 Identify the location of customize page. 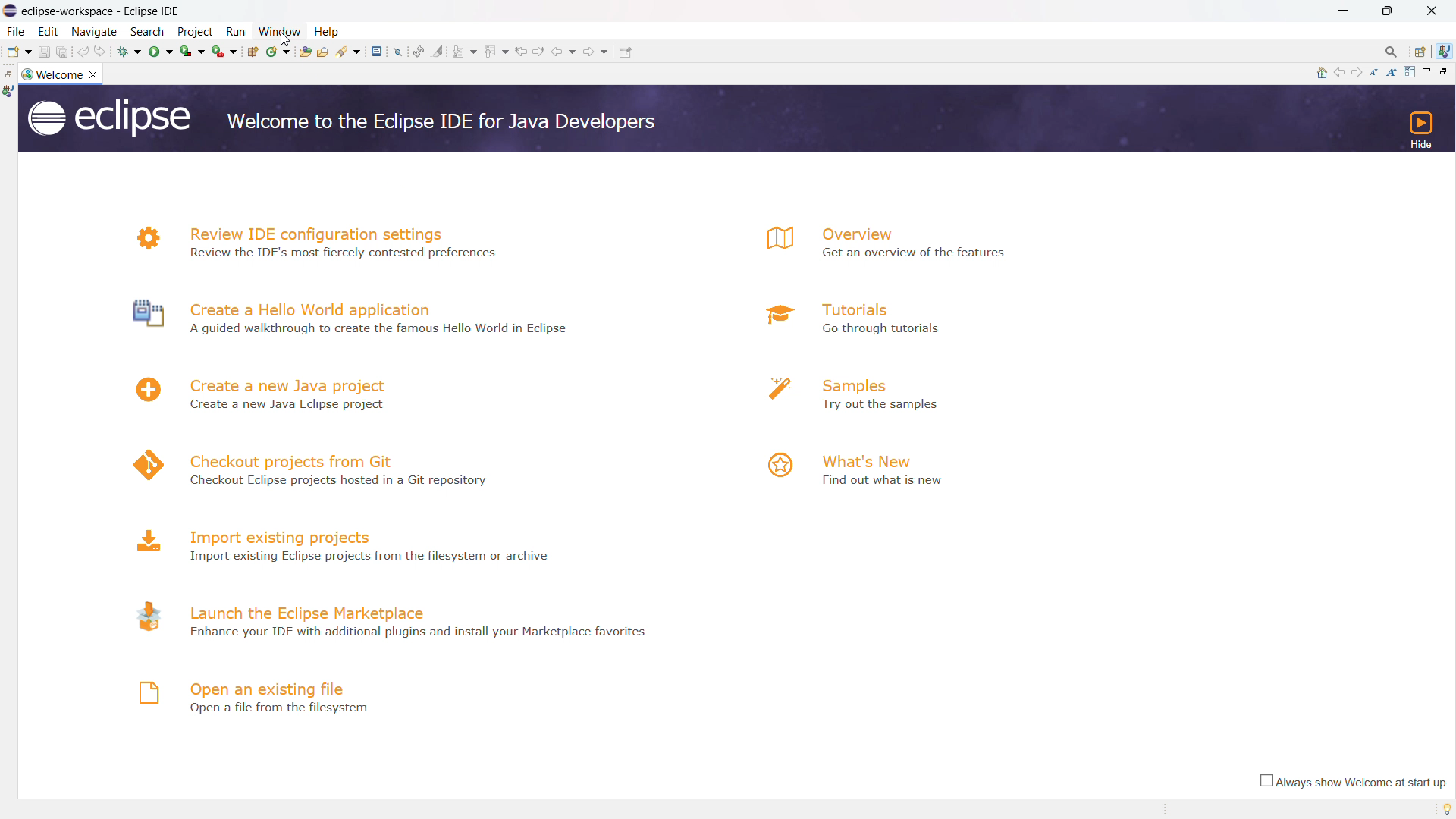
(1409, 72).